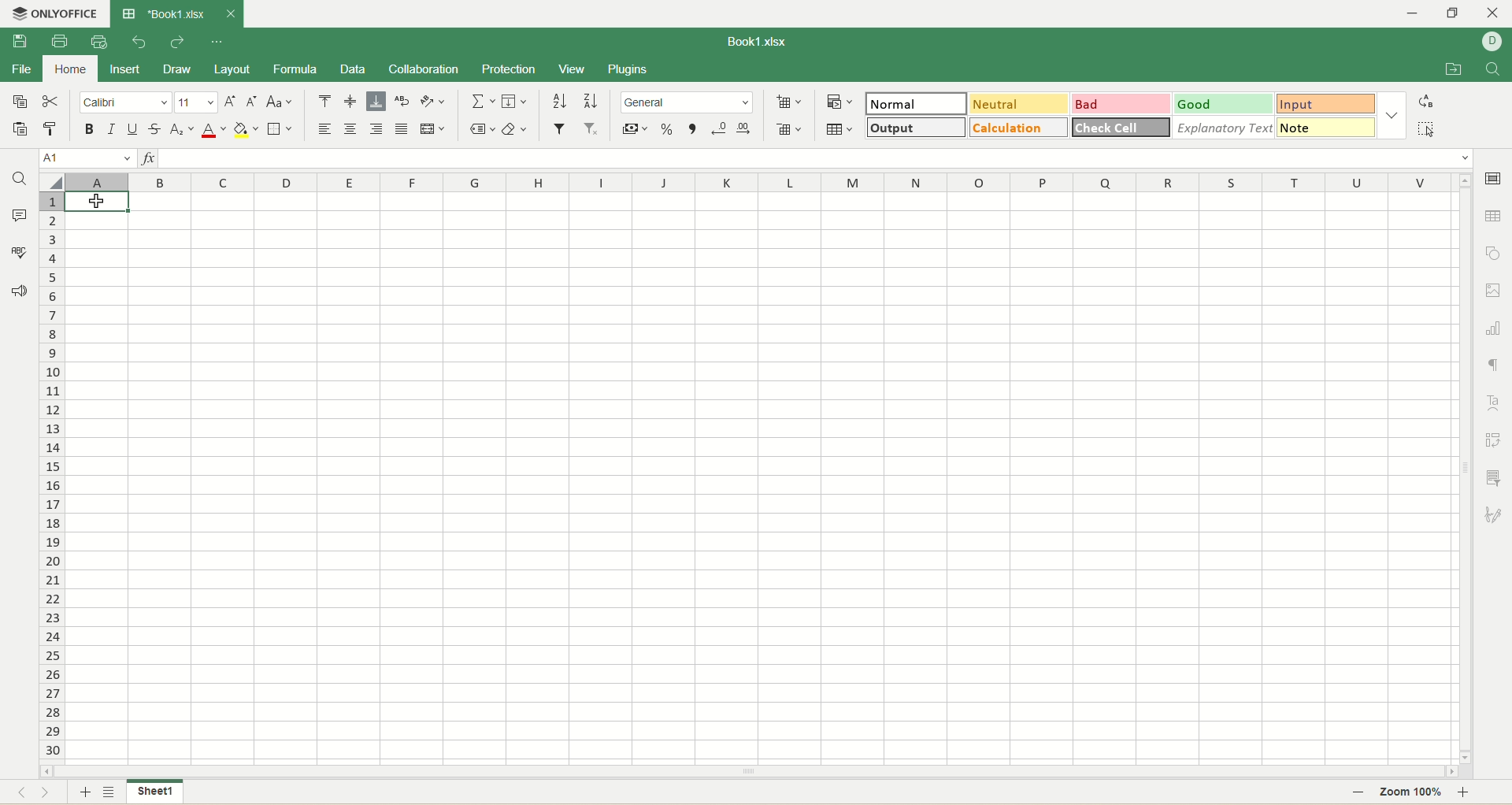 This screenshot has height=805, width=1512. What do you see at coordinates (230, 16) in the screenshot?
I see `close` at bounding box center [230, 16].